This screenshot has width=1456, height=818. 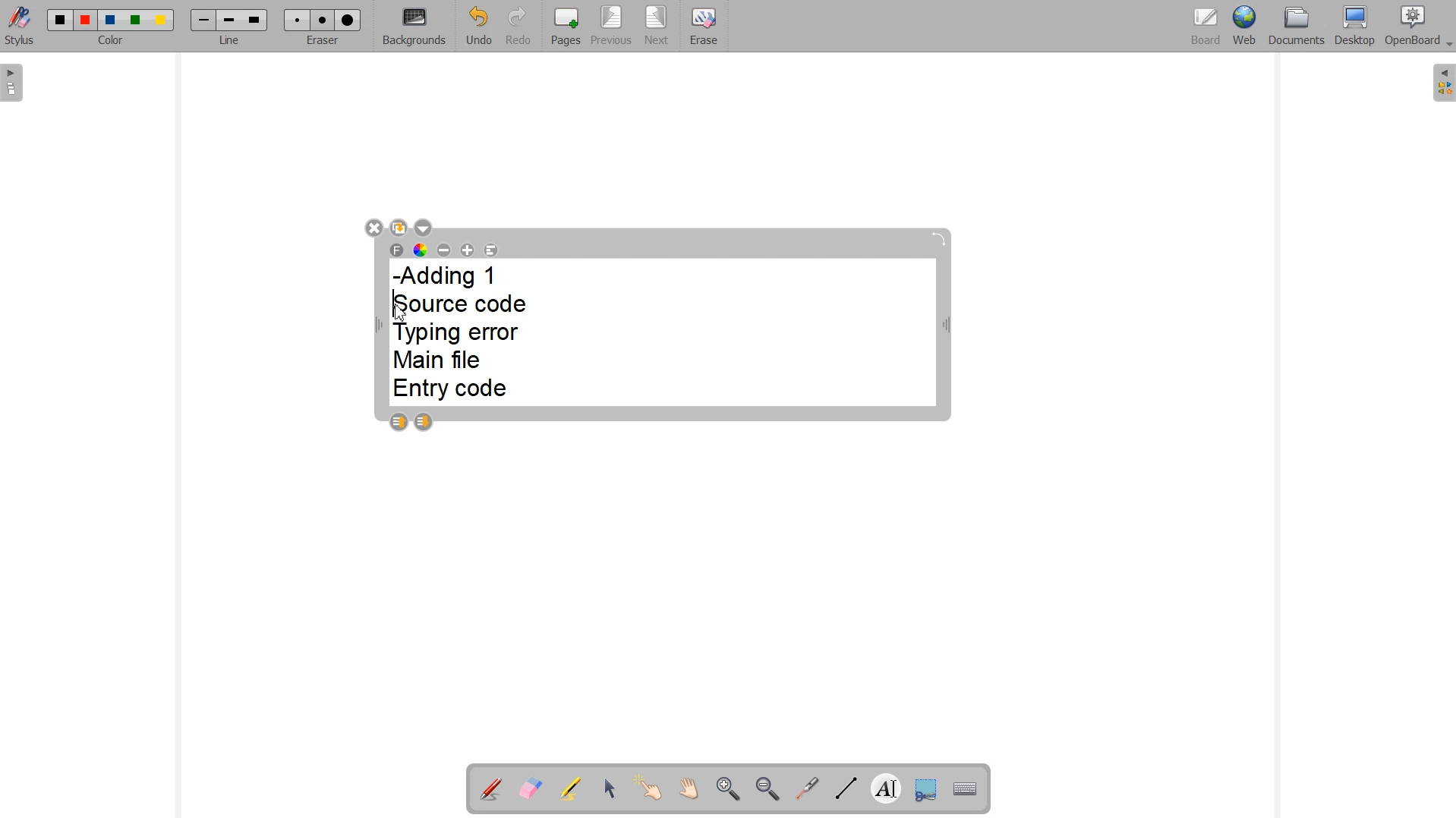 I want to click on -Adding 1 Source code Typing error Main file Entry code, so click(x=462, y=334).